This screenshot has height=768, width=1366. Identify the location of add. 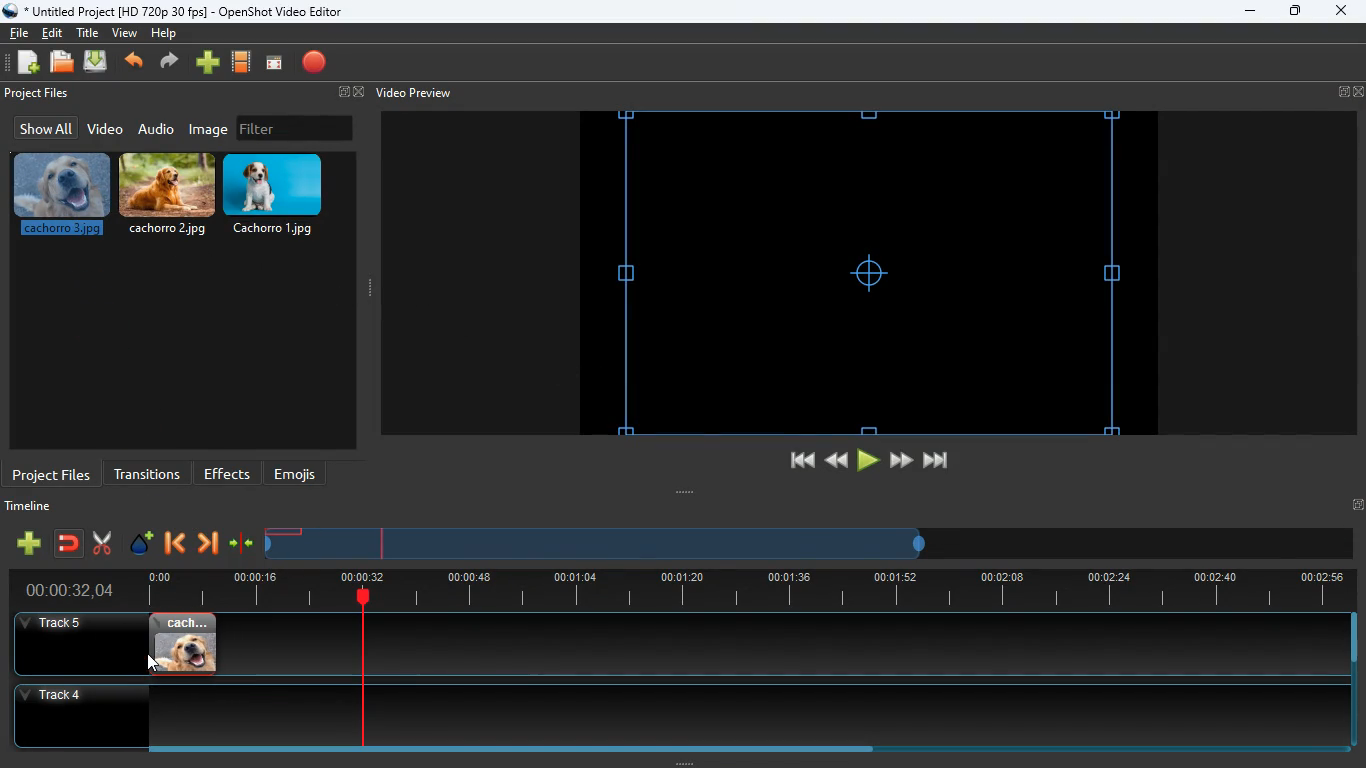
(208, 63).